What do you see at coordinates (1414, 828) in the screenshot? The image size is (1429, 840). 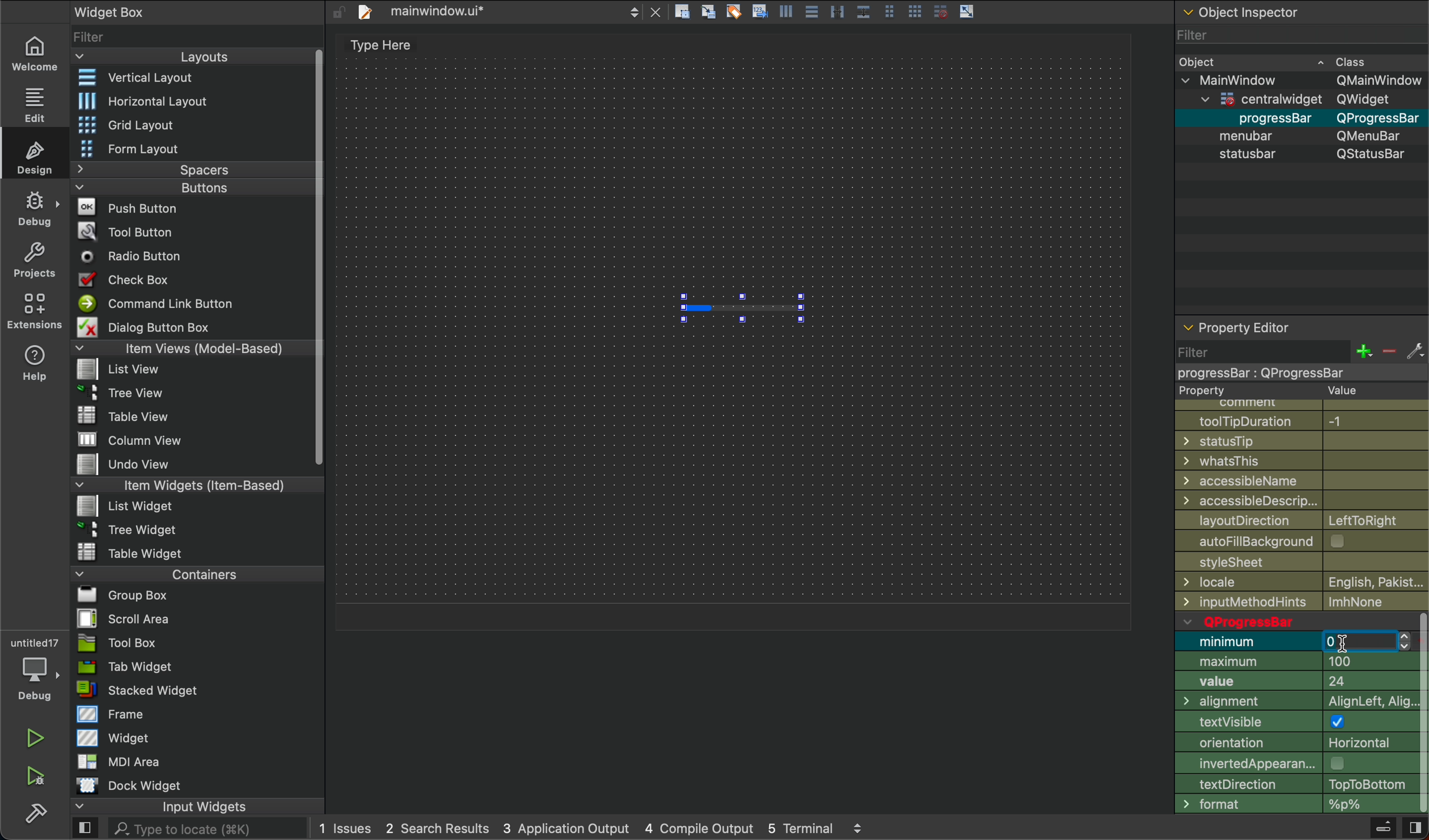 I see `close sidebar` at bounding box center [1414, 828].